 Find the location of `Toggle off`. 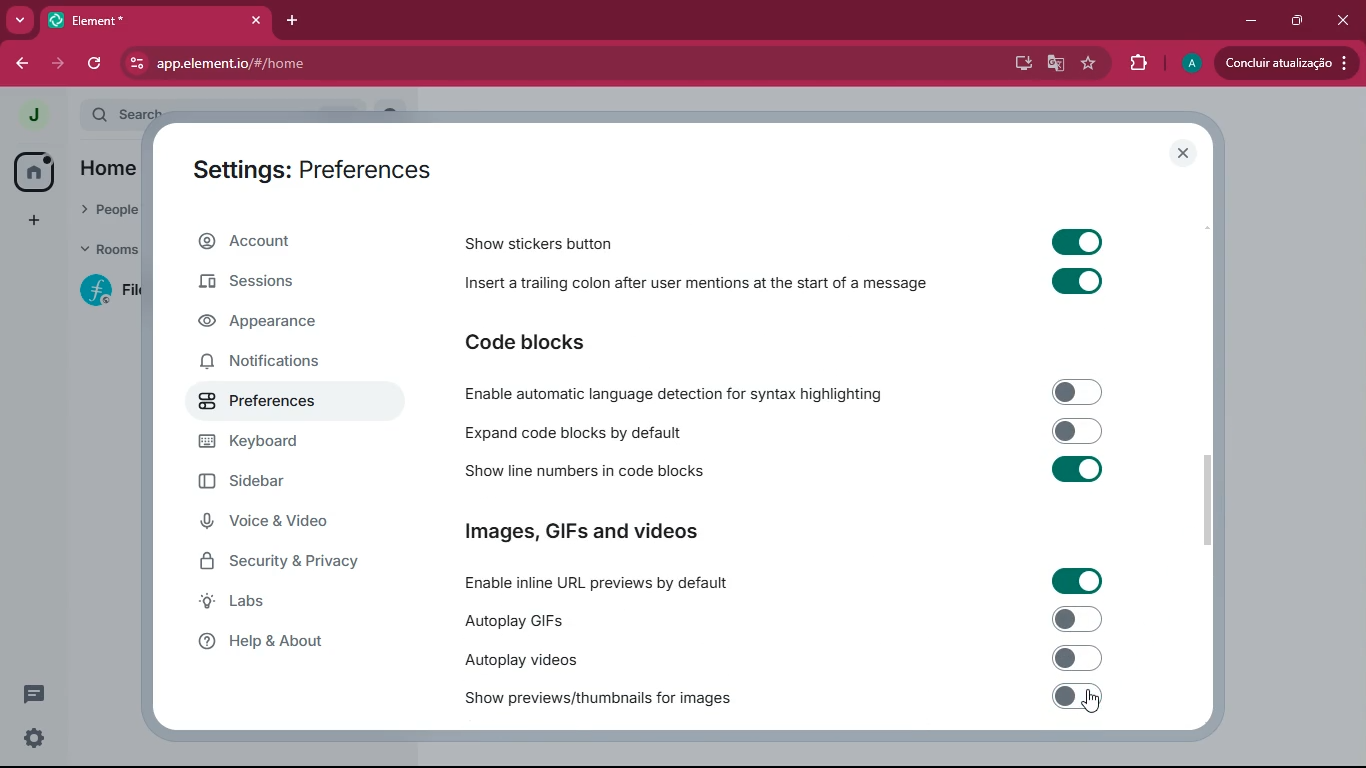

Toggle off is located at coordinates (1078, 430).